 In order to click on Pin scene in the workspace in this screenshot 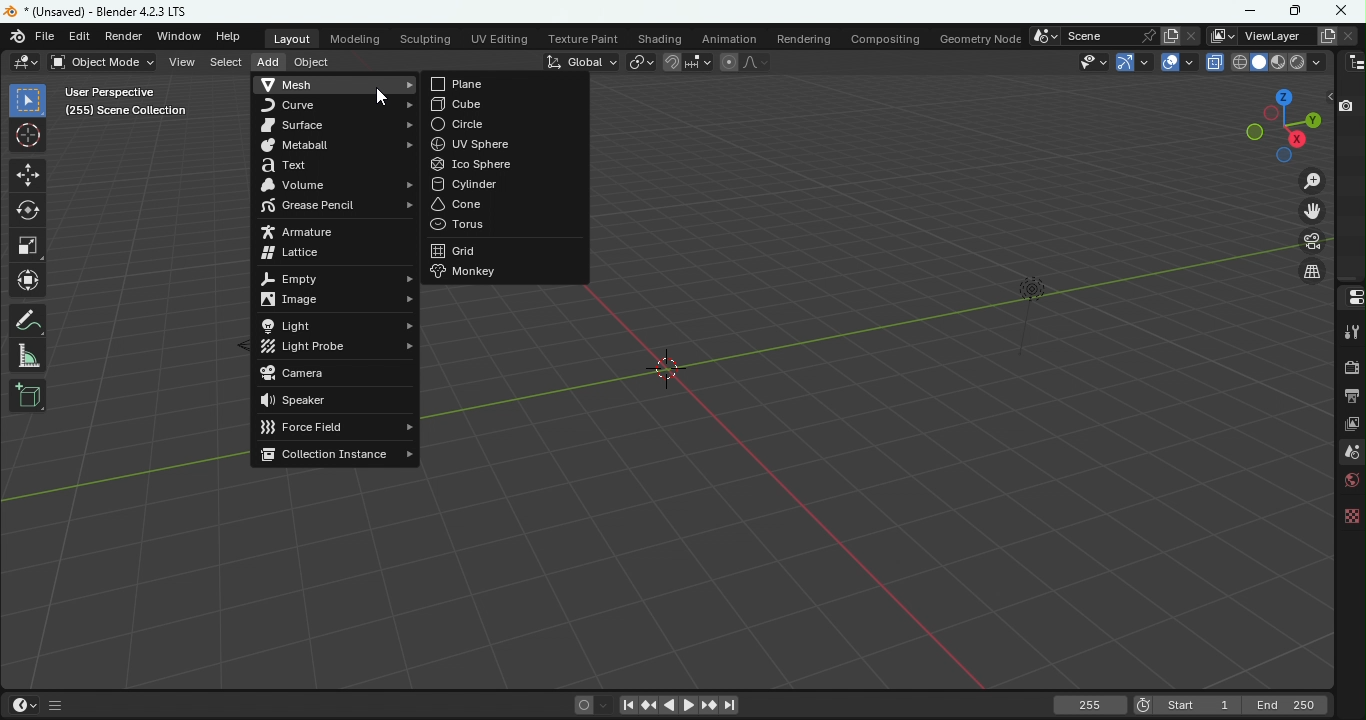, I will do `click(1146, 35)`.